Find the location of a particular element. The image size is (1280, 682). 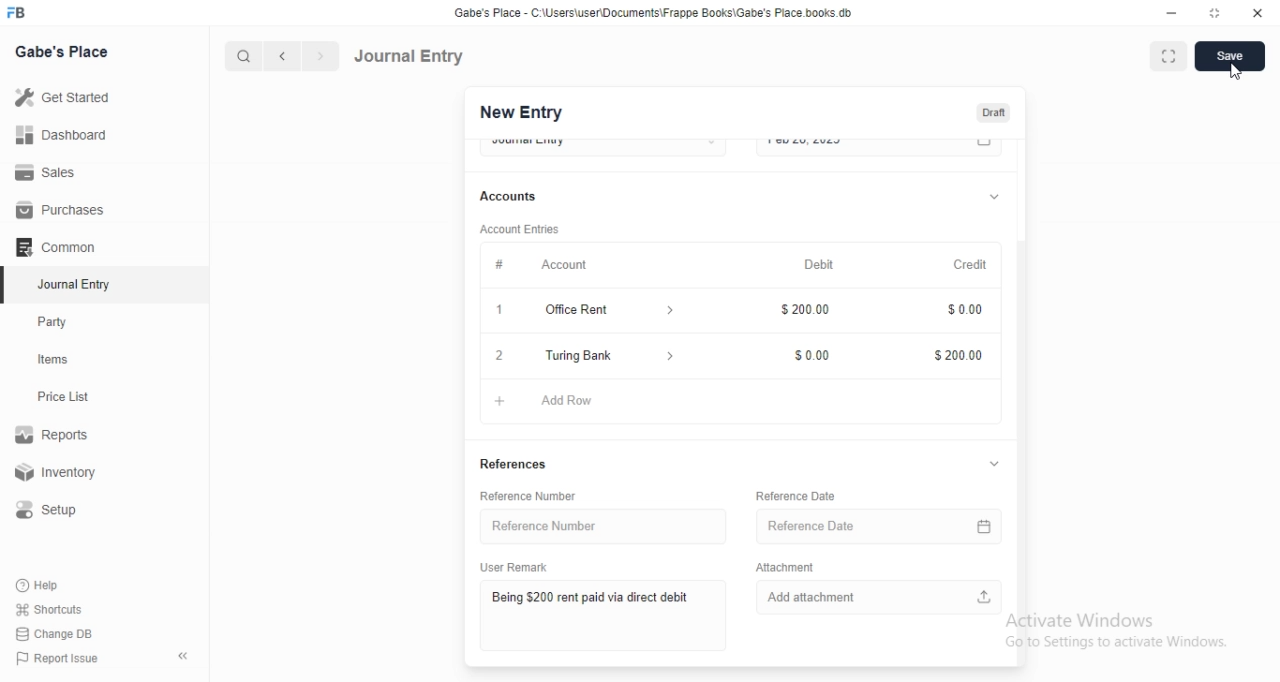

backward is located at coordinates (281, 56).